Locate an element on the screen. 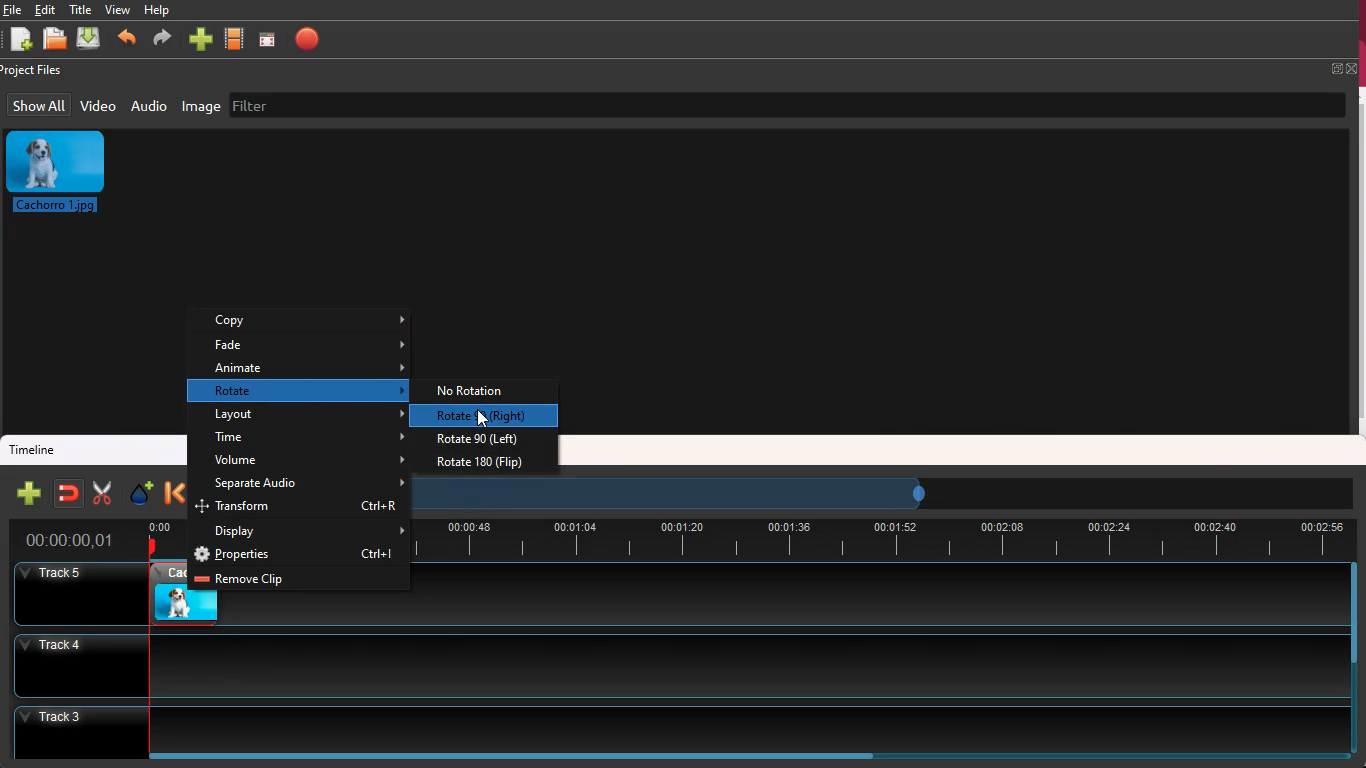 The width and height of the screenshot is (1366, 768). screen is located at coordinates (266, 42).